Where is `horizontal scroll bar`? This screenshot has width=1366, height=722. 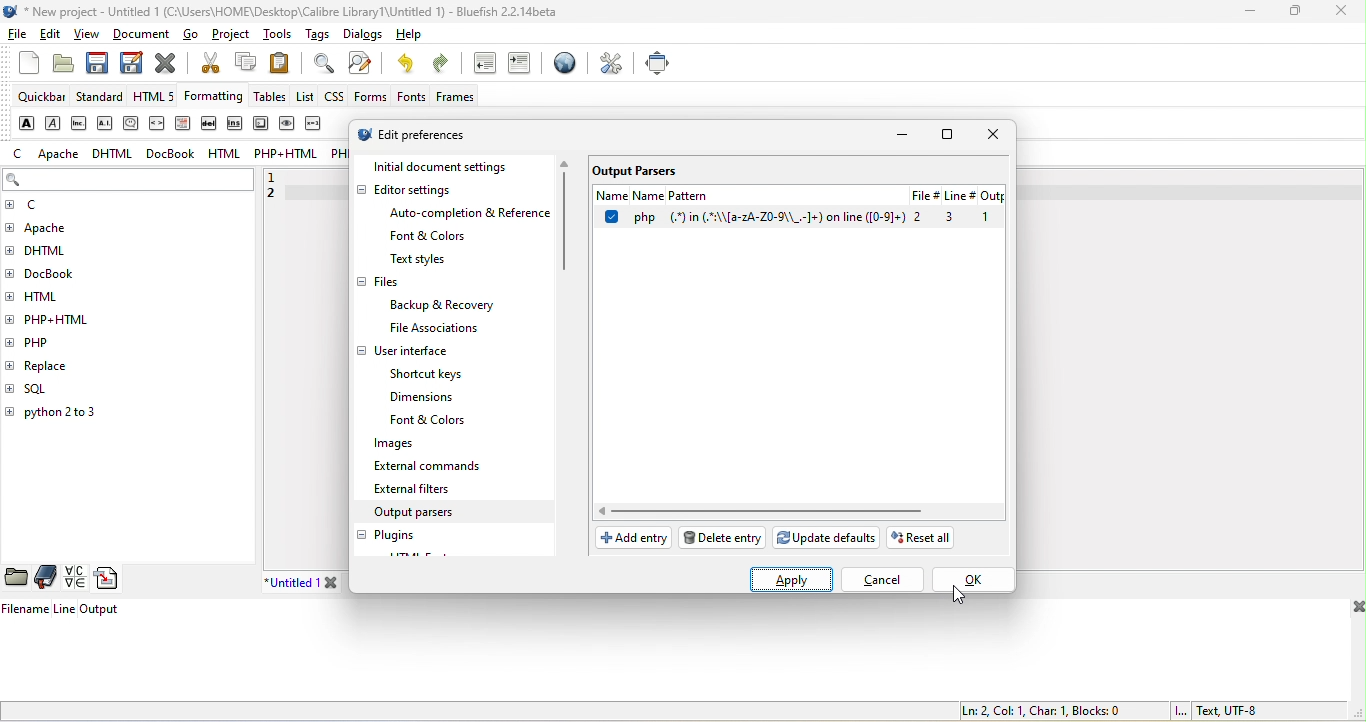 horizontal scroll bar is located at coordinates (764, 511).